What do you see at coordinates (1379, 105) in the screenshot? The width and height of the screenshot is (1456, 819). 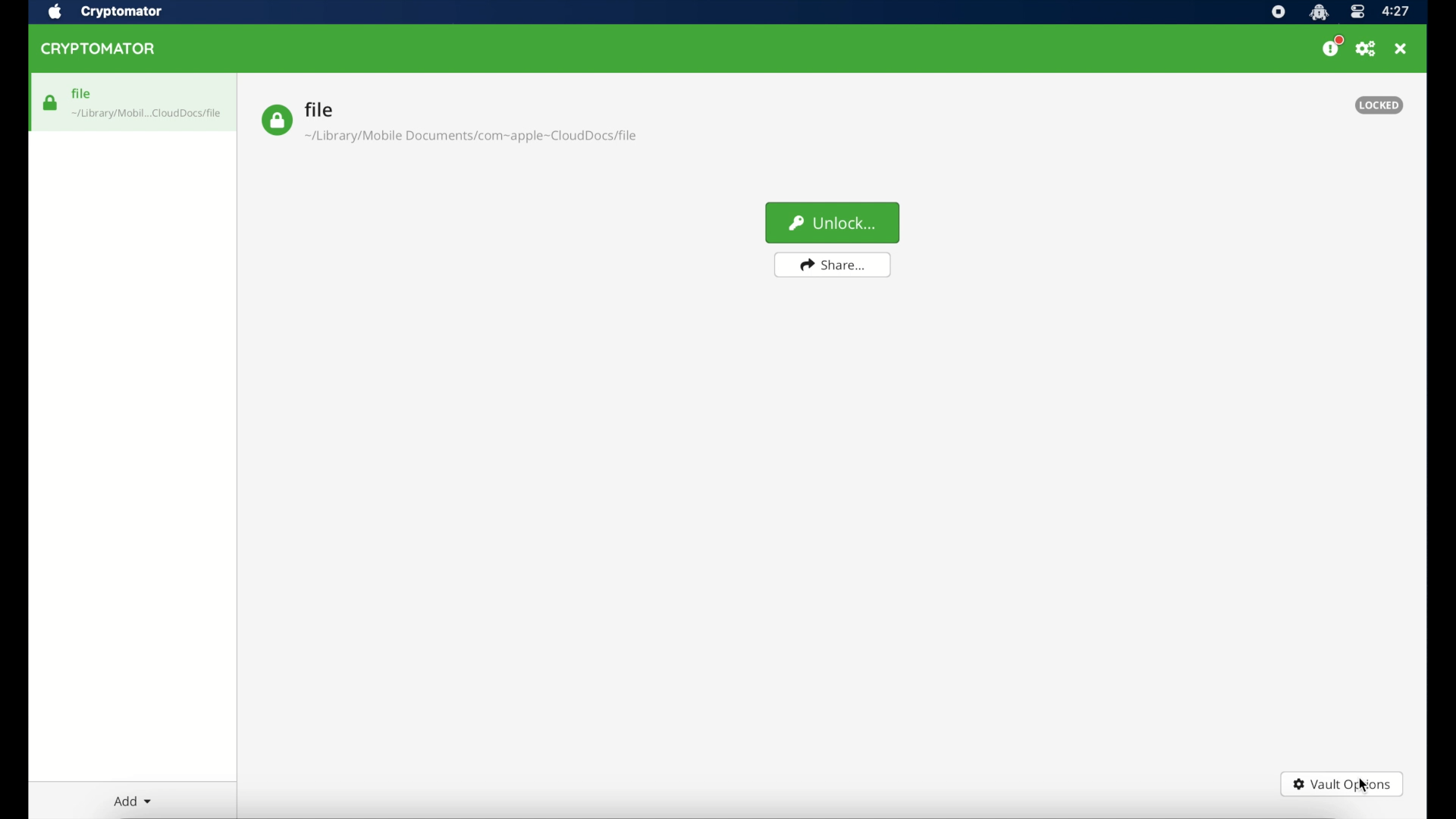 I see `locked` at bounding box center [1379, 105].